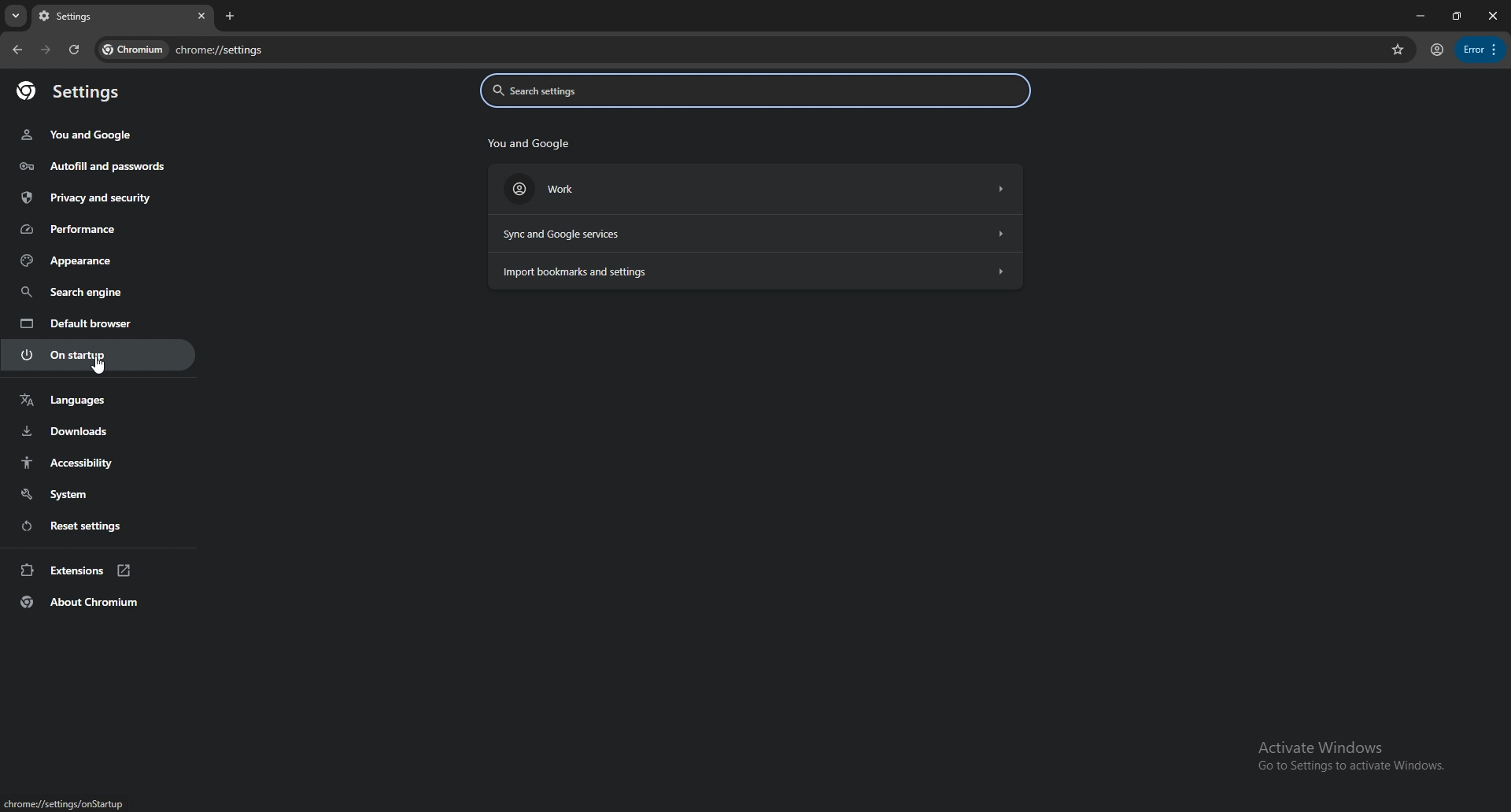  What do you see at coordinates (99, 602) in the screenshot?
I see `about chromium` at bounding box center [99, 602].